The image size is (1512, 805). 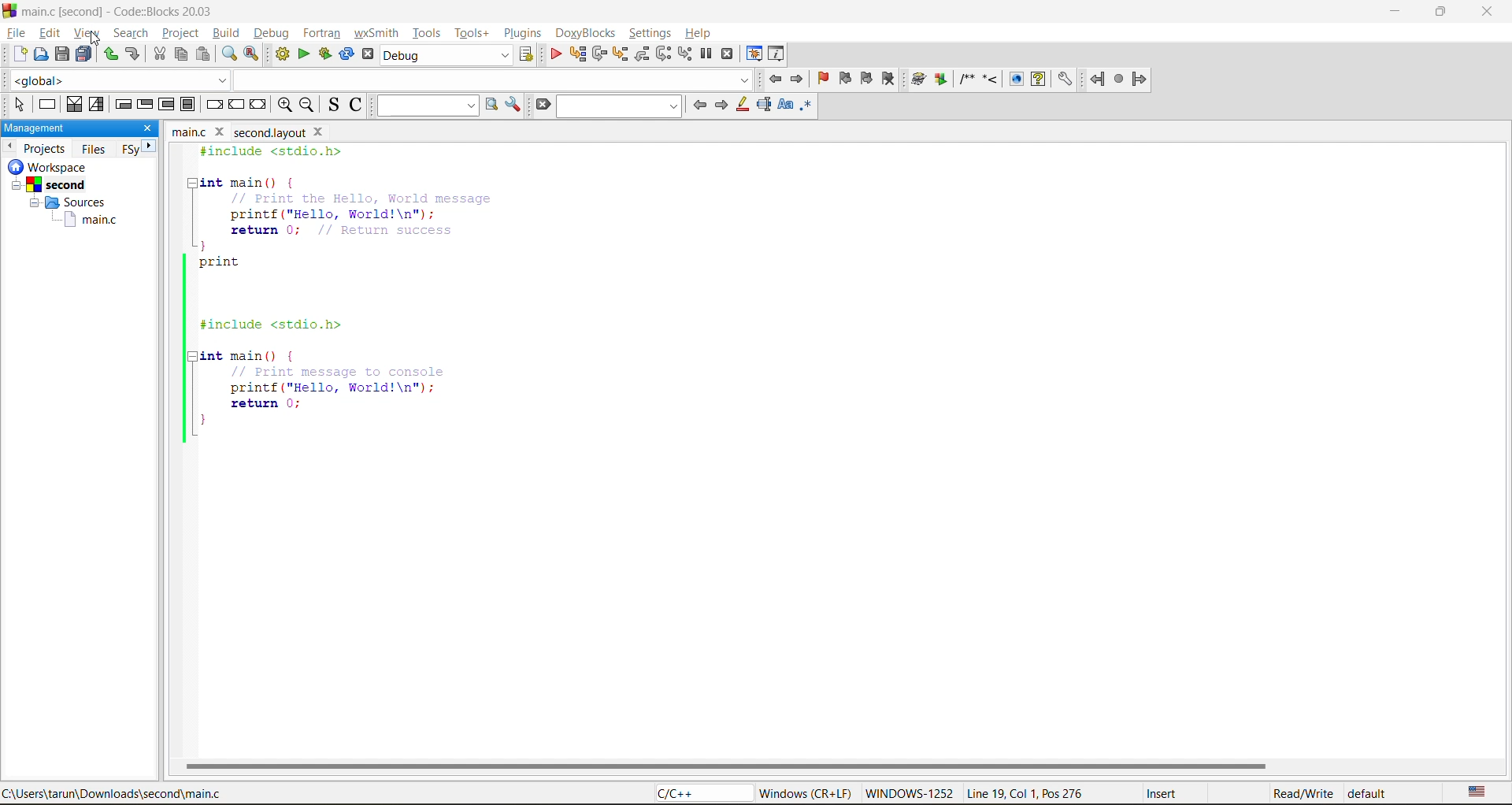 What do you see at coordinates (425, 33) in the screenshot?
I see `tools` at bounding box center [425, 33].